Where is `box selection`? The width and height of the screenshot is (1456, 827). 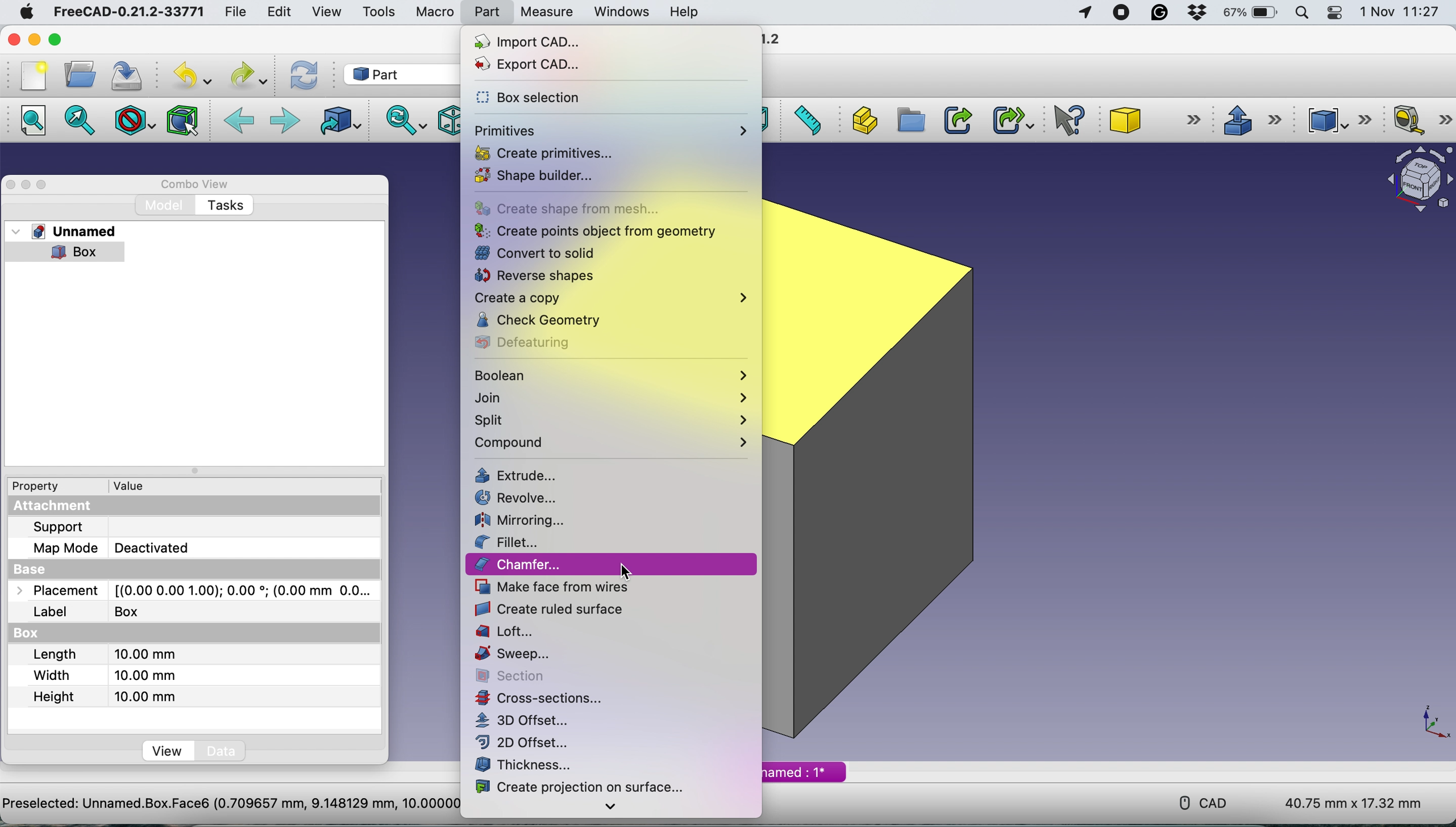 box selection is located at coordinates (543, 99).